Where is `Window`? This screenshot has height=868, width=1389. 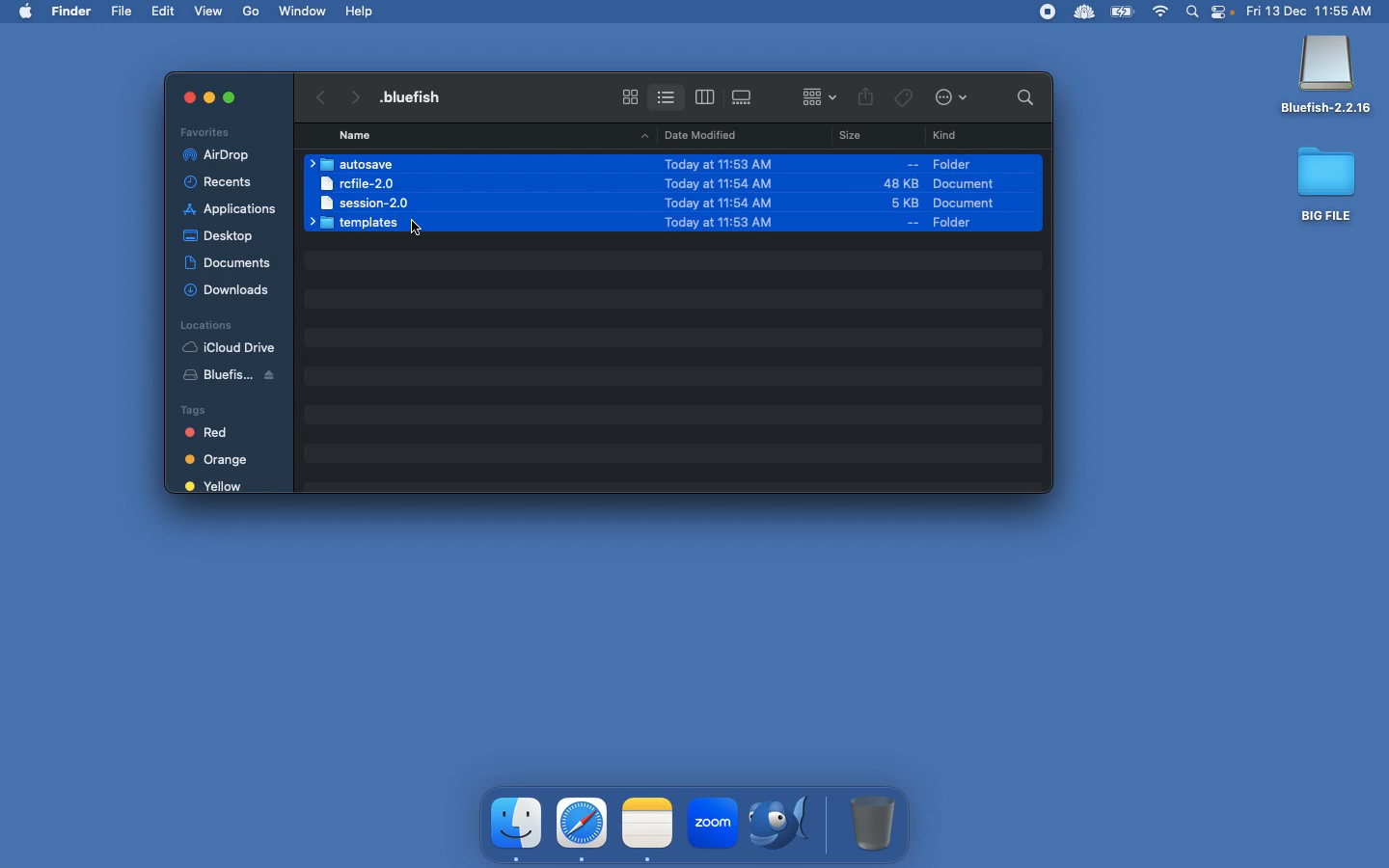 Window is located at coordinates (304, 11).